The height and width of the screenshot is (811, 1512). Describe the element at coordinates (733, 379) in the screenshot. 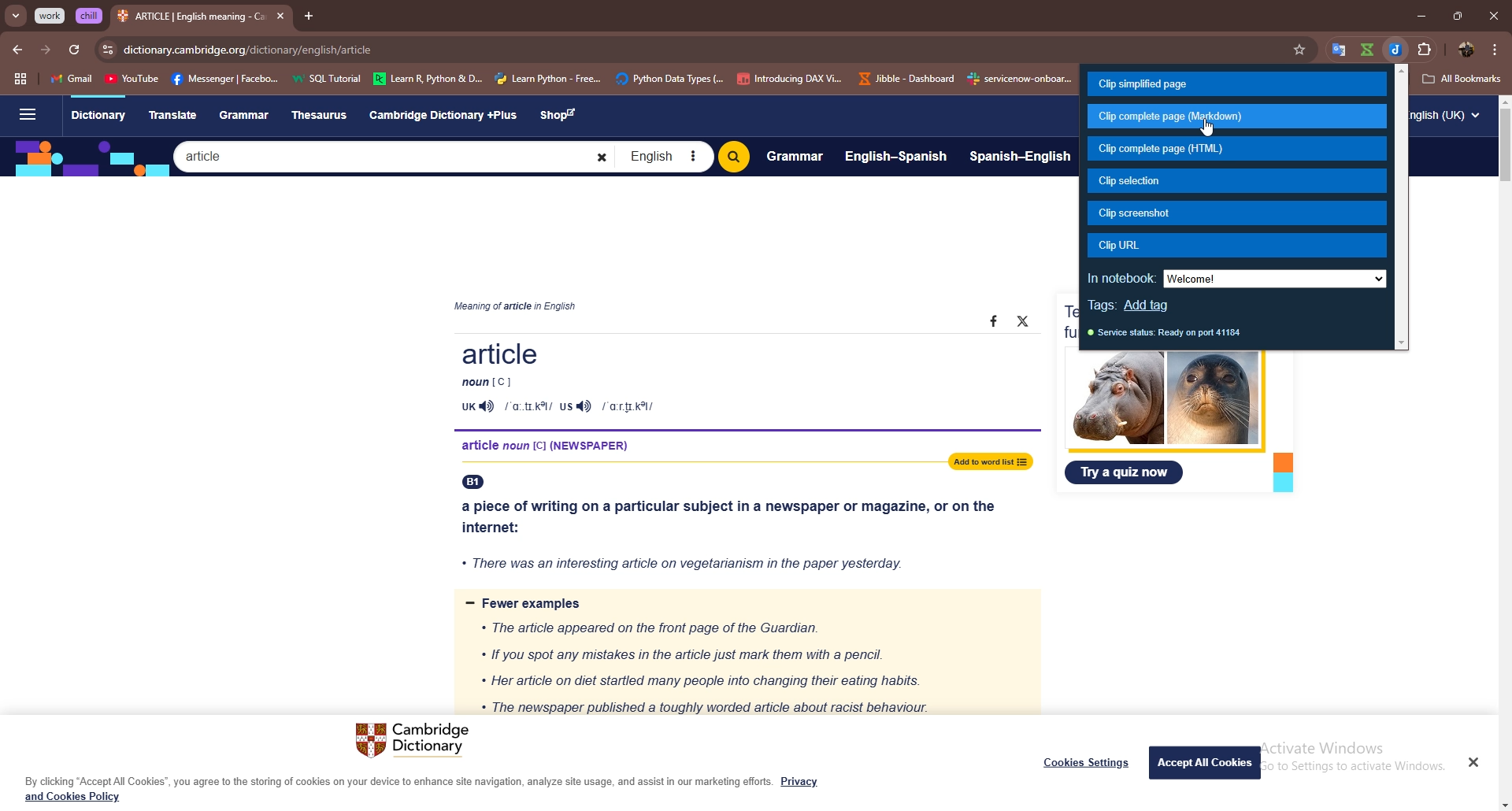

I see `Article` at that location.